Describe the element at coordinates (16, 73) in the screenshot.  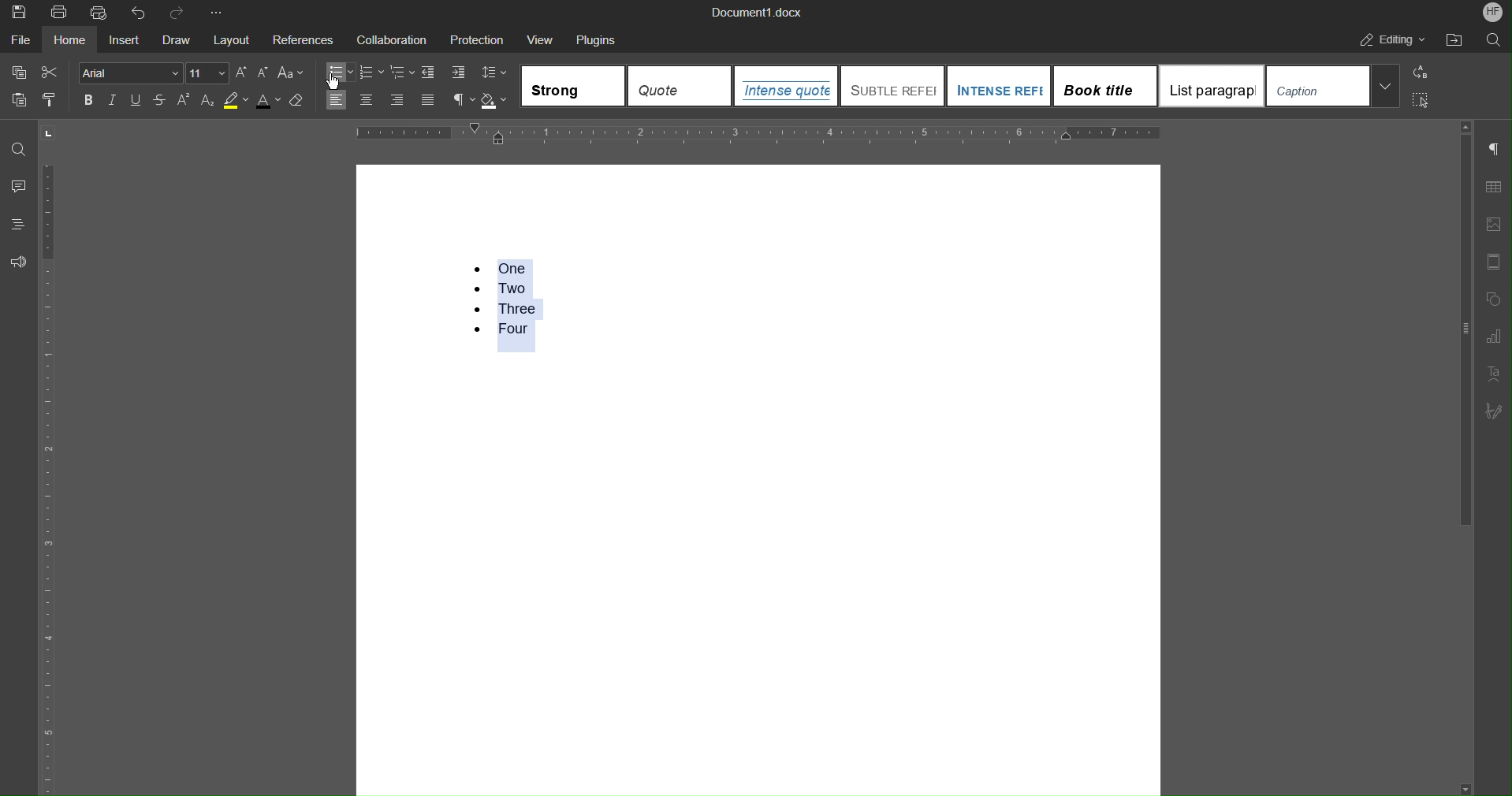
I see `Copy` at that location.